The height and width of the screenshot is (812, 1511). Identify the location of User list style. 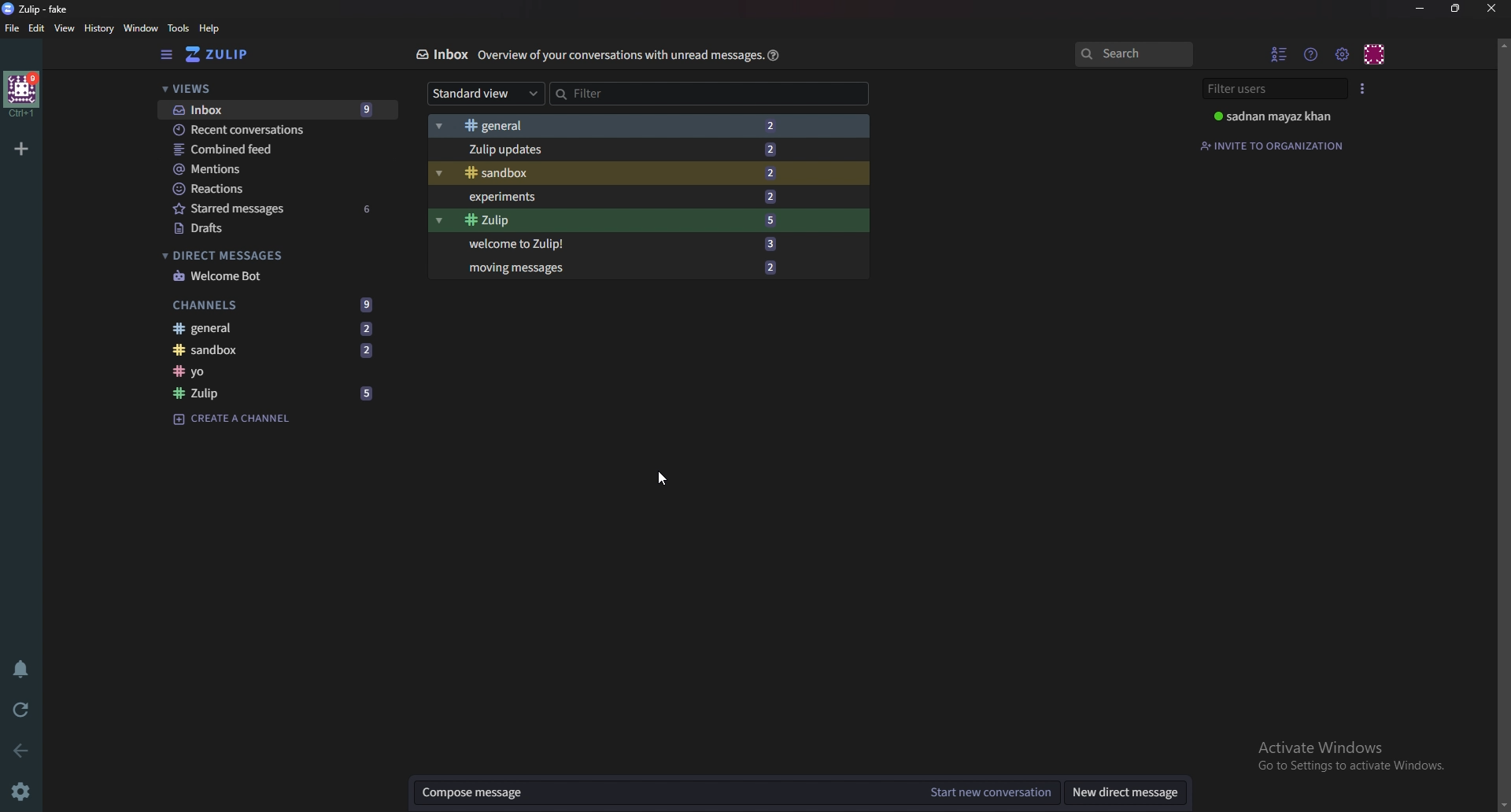
(1364, 87).